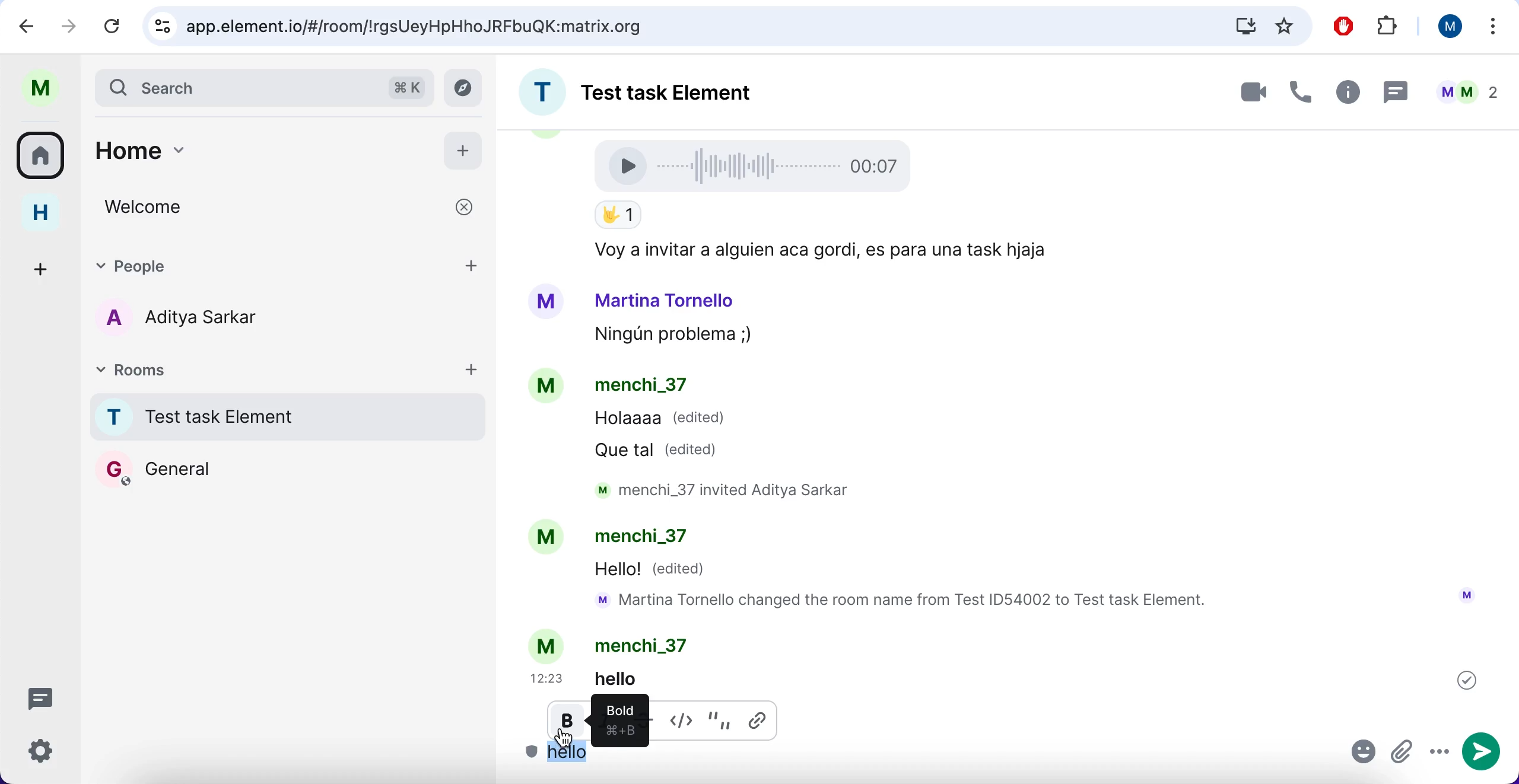 This screenshot has width=1519, height=784. Describe the element at coordinates (548, 388) in the screenshot. I see `Avatar` at that location.